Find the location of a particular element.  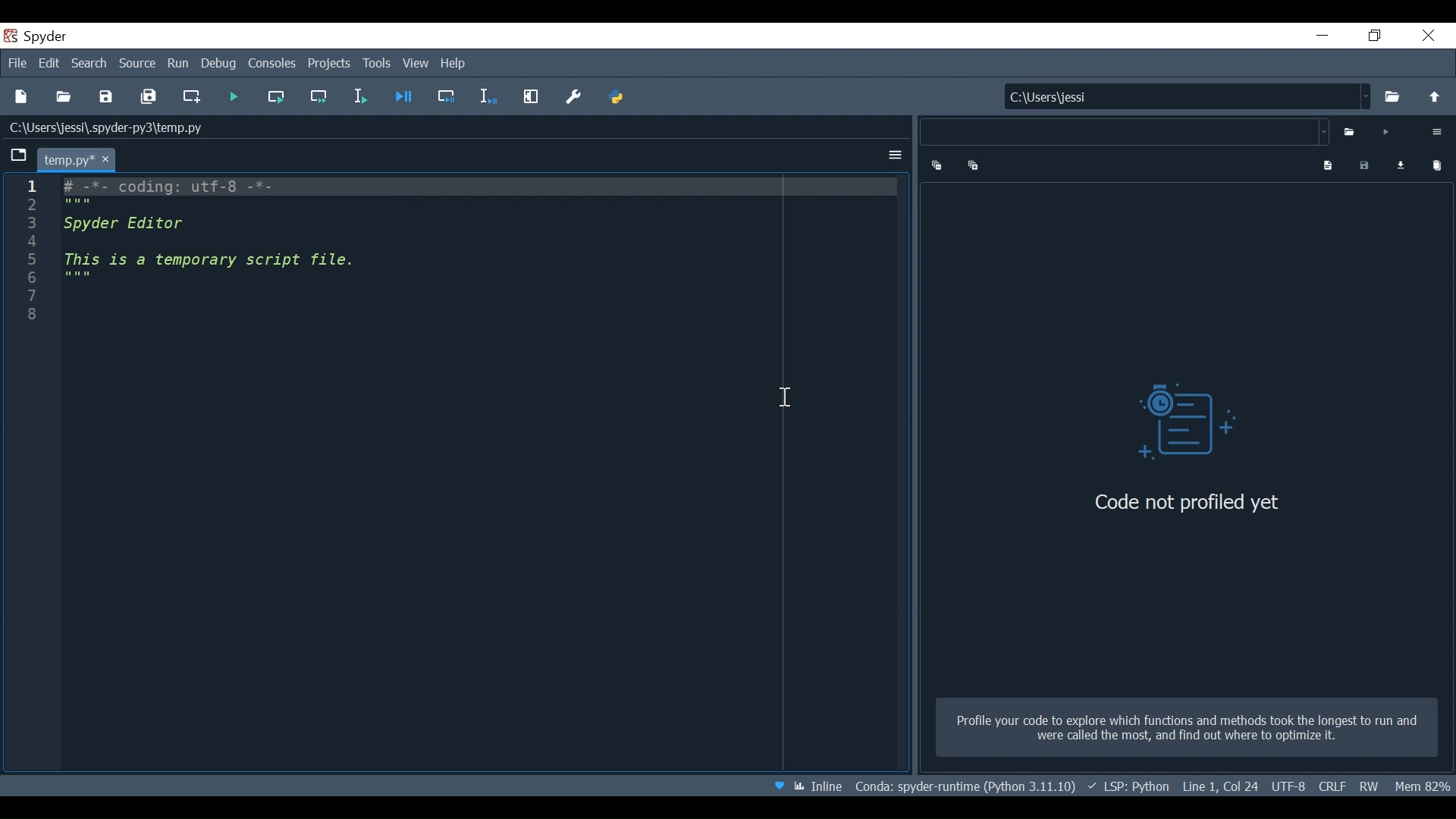

Open File is located at coordinates (63, 98).